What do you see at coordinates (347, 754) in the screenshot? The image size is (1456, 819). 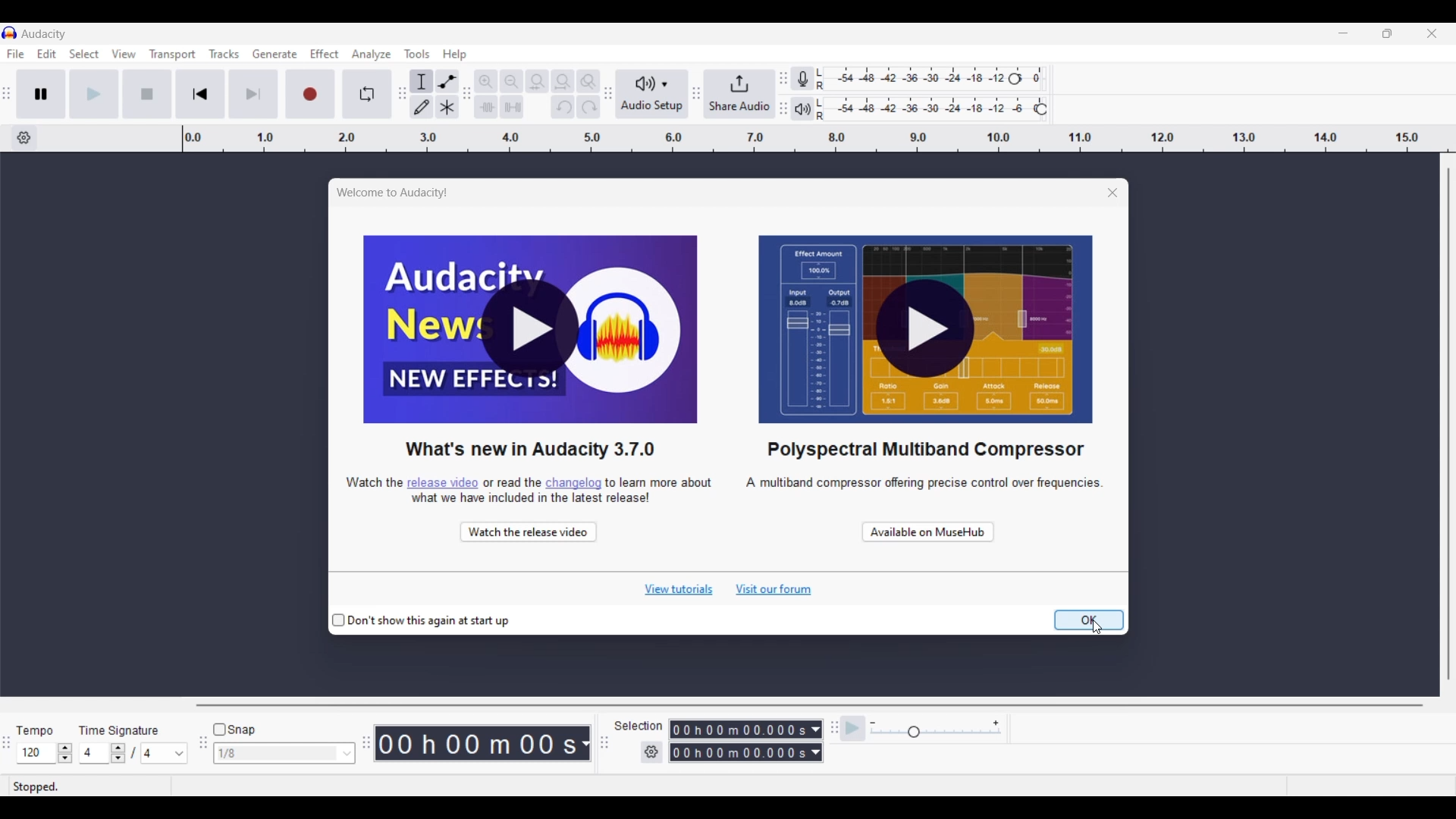 I see `Snap options` at bounding box center [347, 754].